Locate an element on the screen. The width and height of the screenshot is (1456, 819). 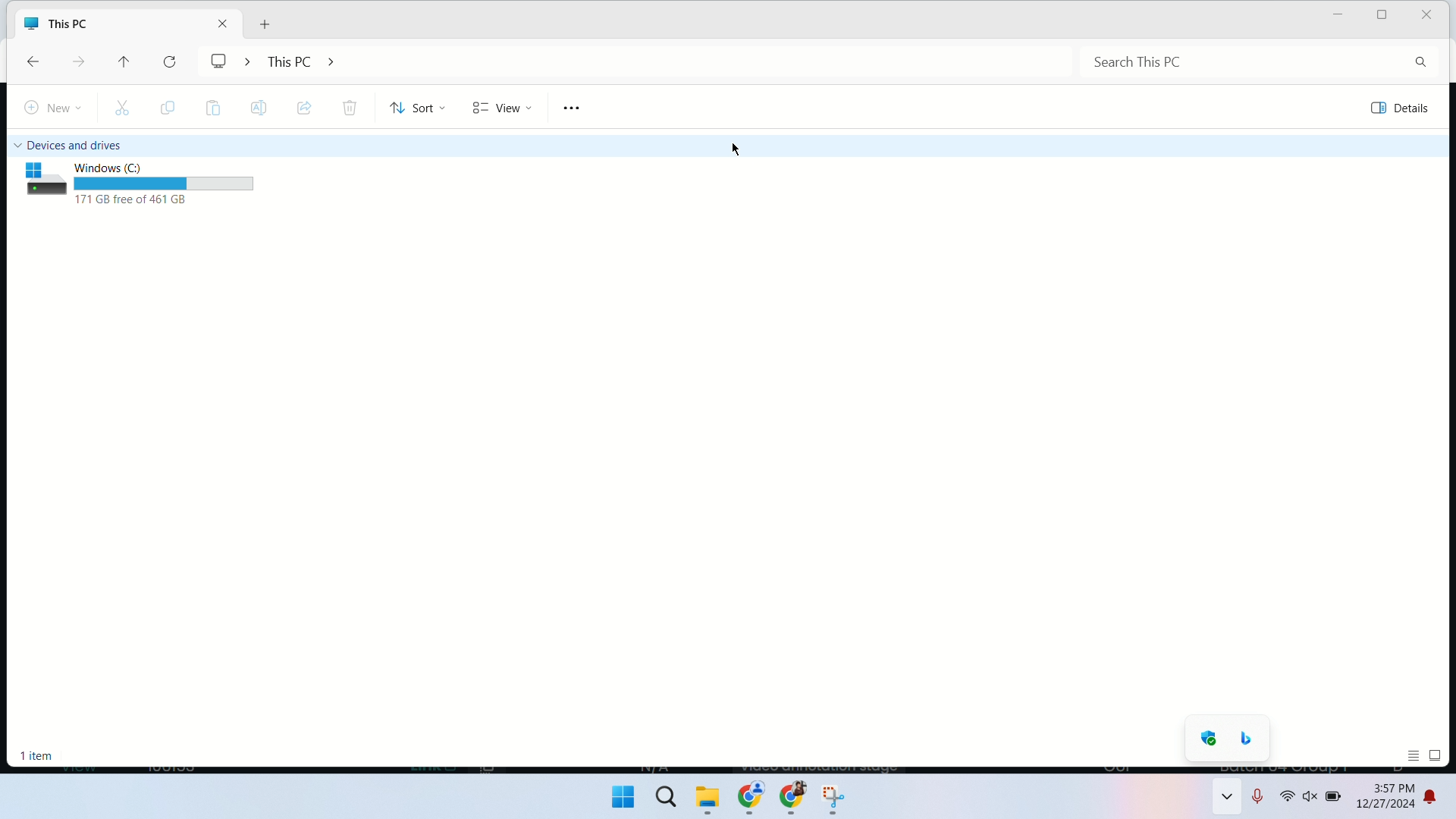
notifications is located at coordinates (1441, 800).